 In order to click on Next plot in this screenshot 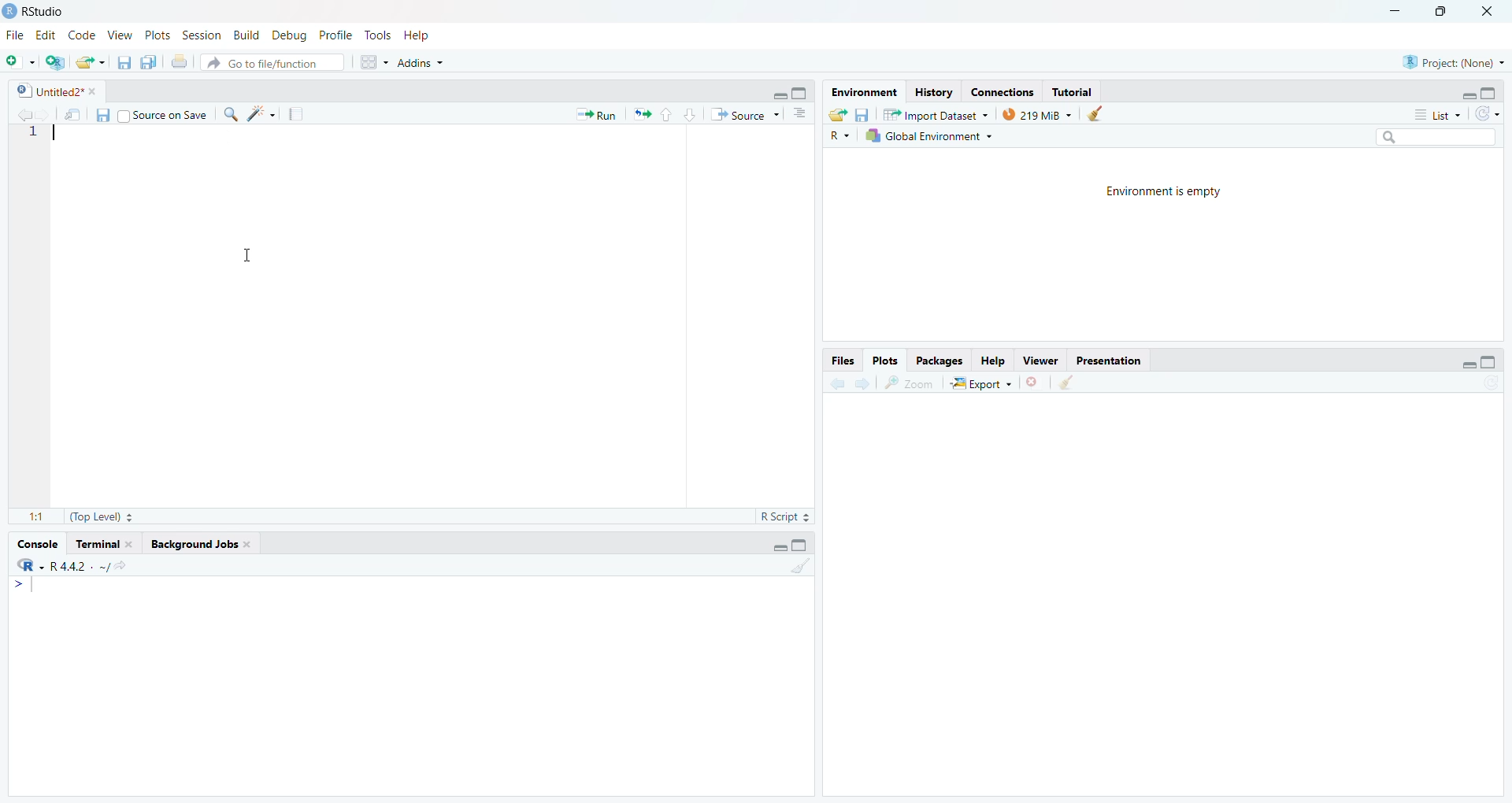, I will do `click(865, 382)`.